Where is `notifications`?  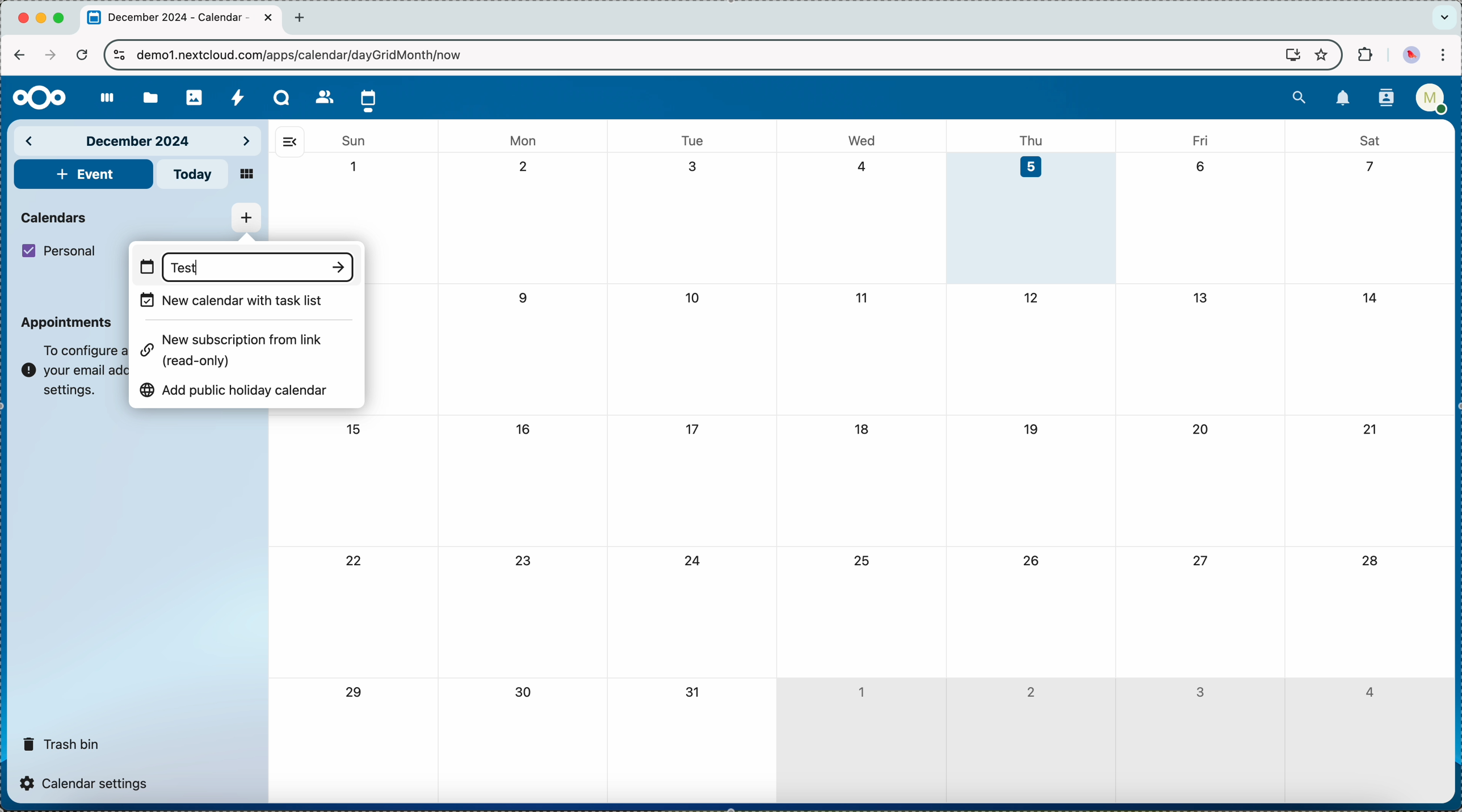 notifications is located at coordinates (1343, 99).